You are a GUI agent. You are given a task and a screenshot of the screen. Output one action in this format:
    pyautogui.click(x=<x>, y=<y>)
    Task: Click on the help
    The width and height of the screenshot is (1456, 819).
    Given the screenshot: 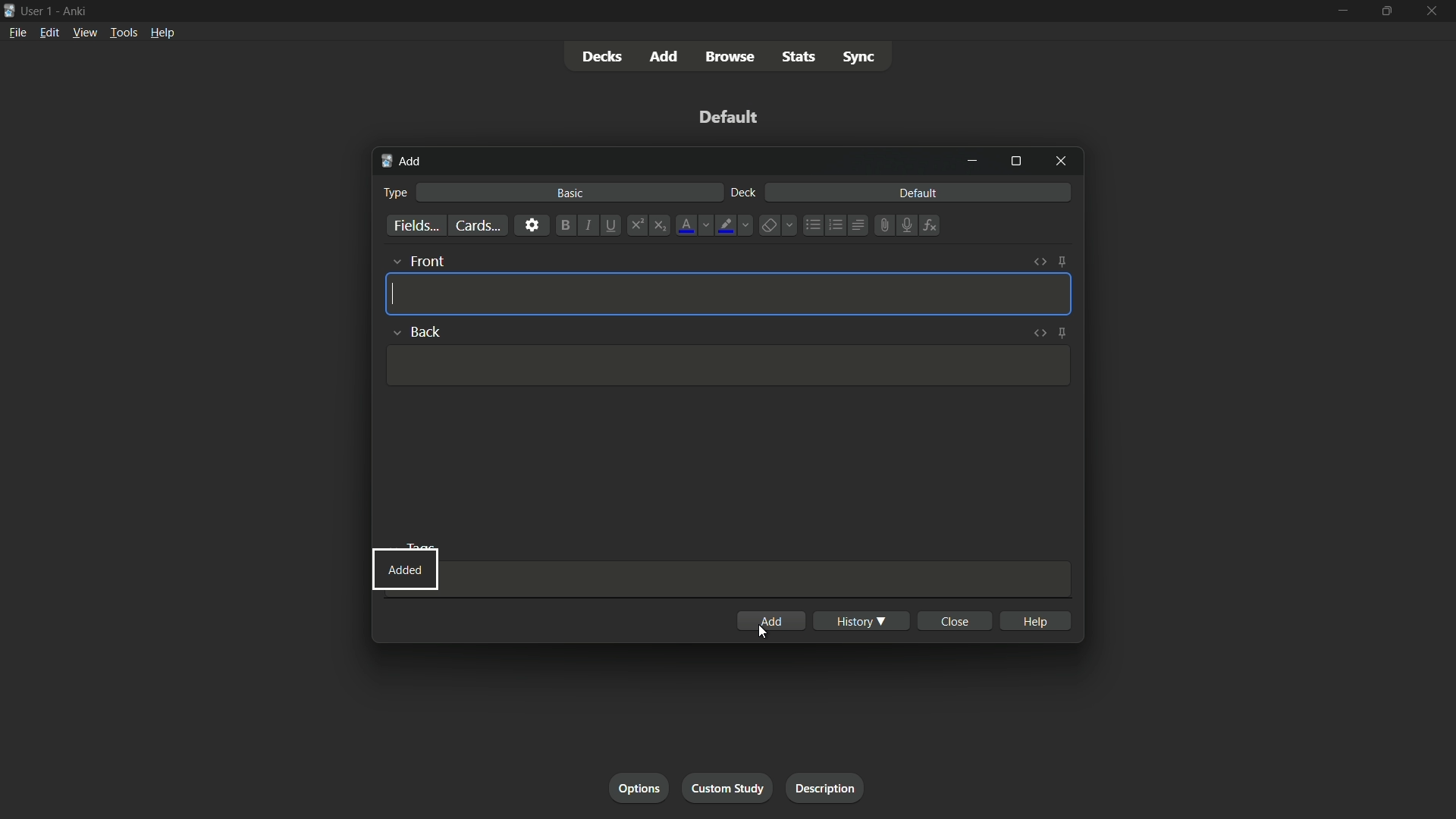 What is the action you would take?
    pyautogui.click(x=1035, y=620)
    